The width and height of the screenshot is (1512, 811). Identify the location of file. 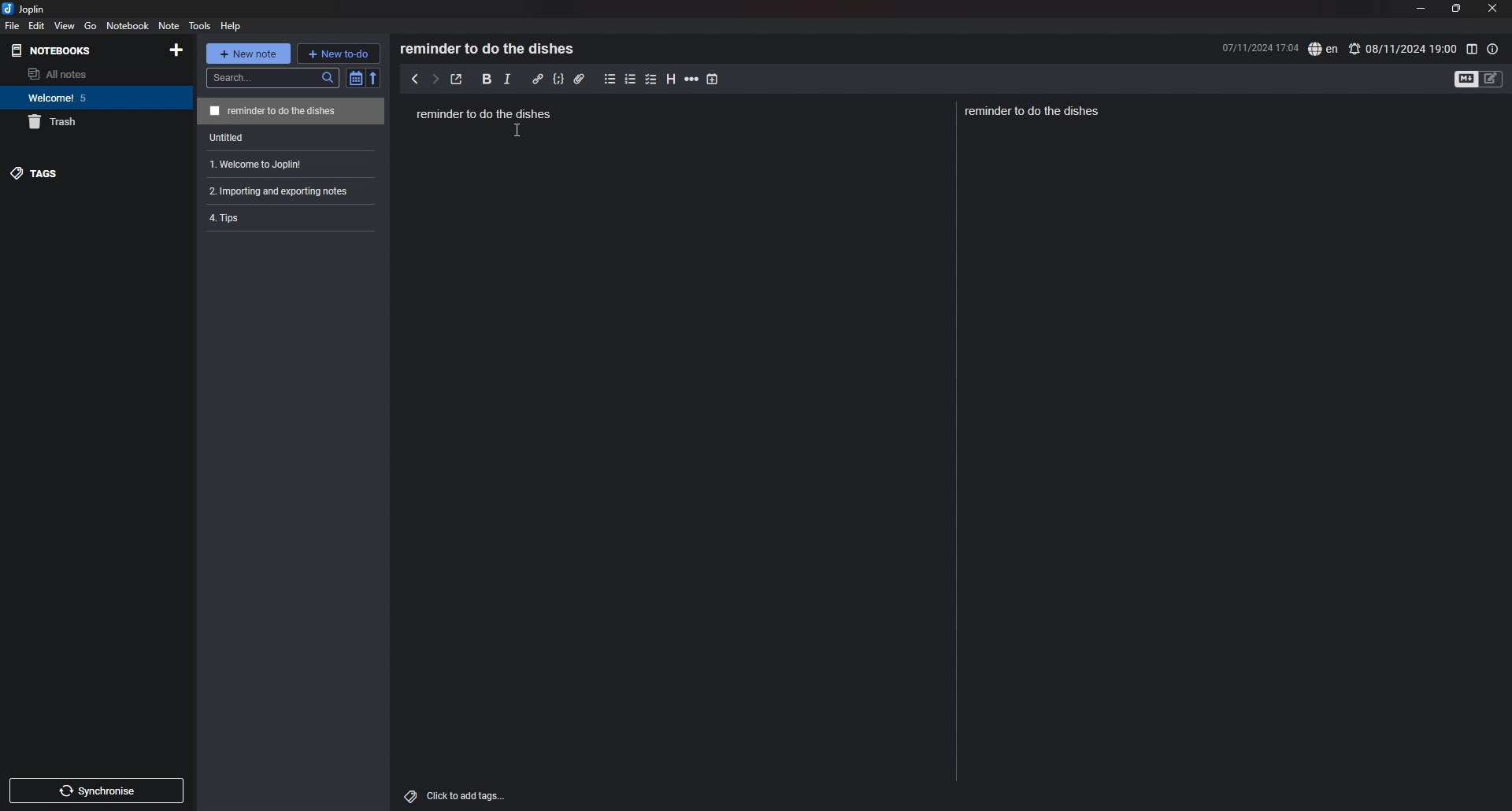
(12, 26).